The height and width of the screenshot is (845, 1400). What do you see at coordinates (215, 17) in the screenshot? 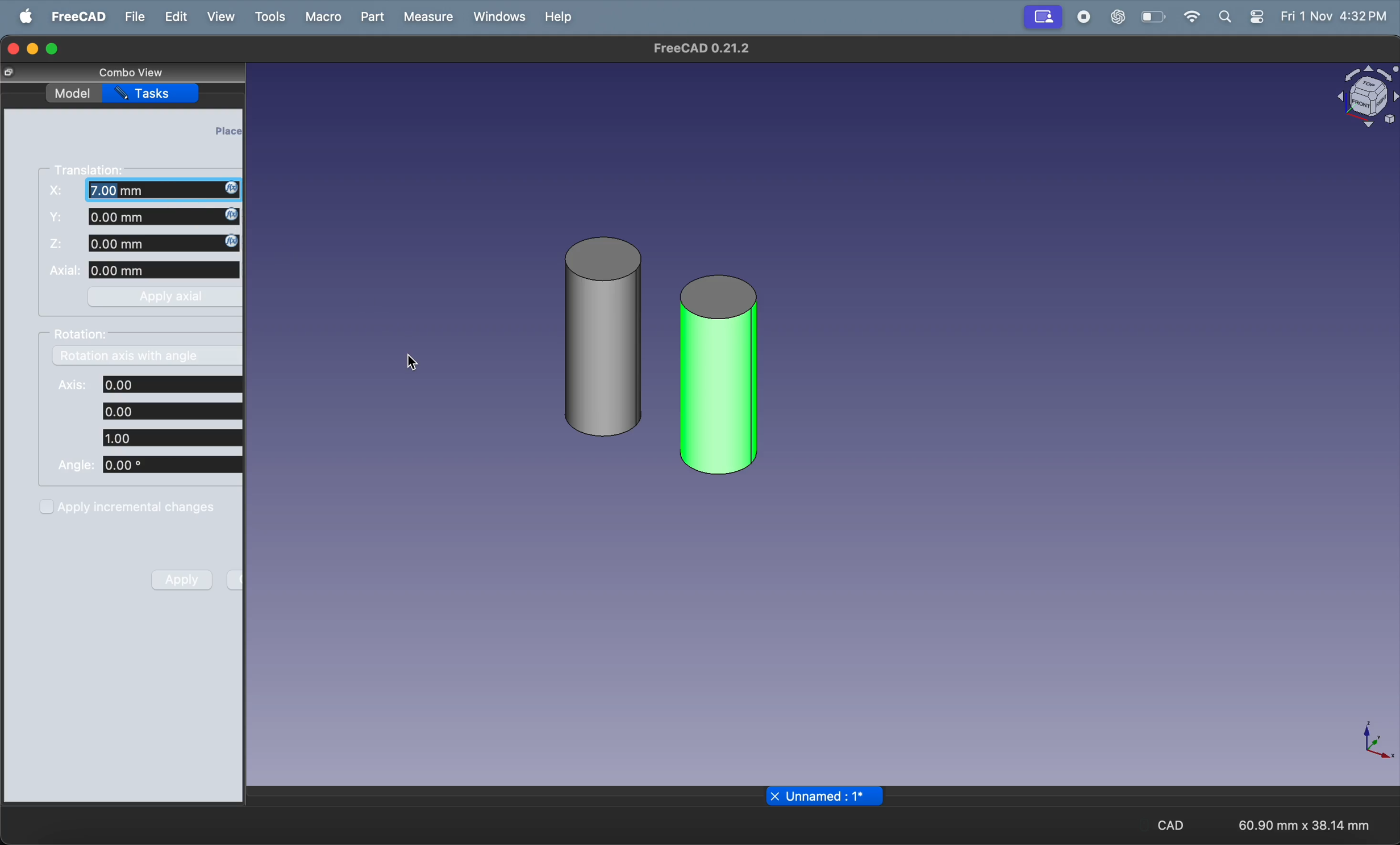
I see `view` at bounding box center [215, 17].